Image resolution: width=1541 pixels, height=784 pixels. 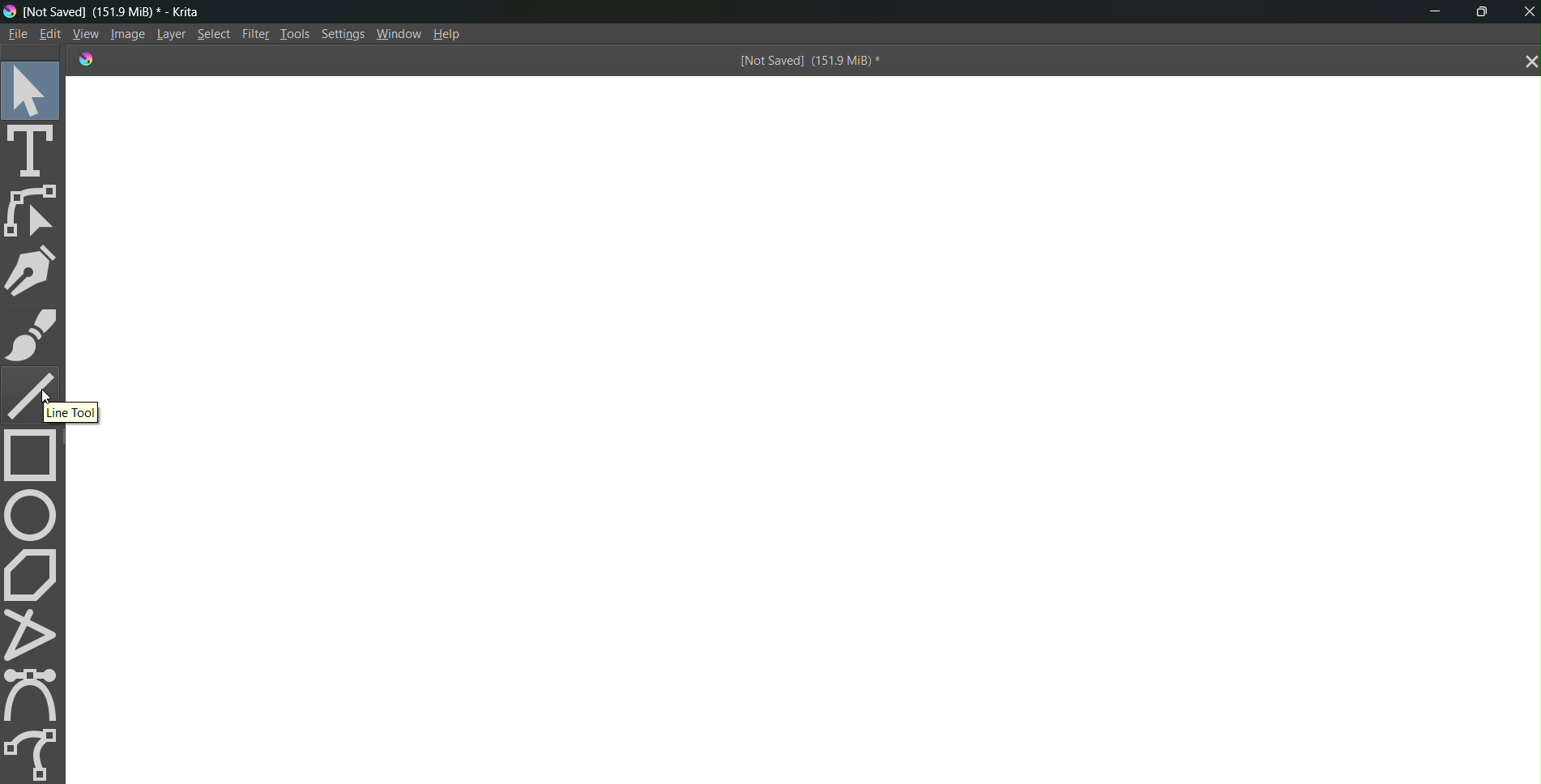 I want to click on line, so click(x=24, y=393).